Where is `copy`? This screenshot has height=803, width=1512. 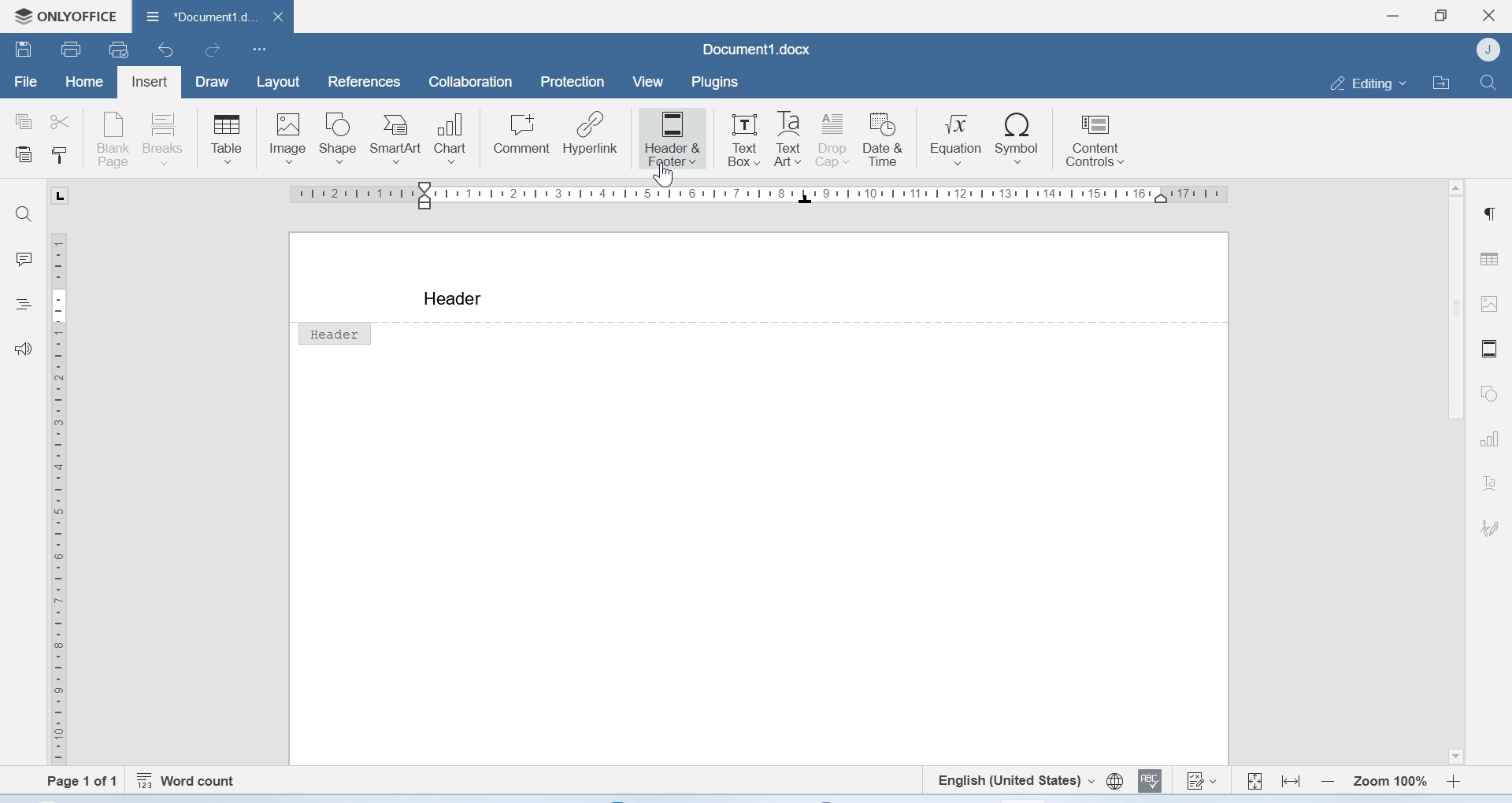
copy is located at coordinates (26, 122).